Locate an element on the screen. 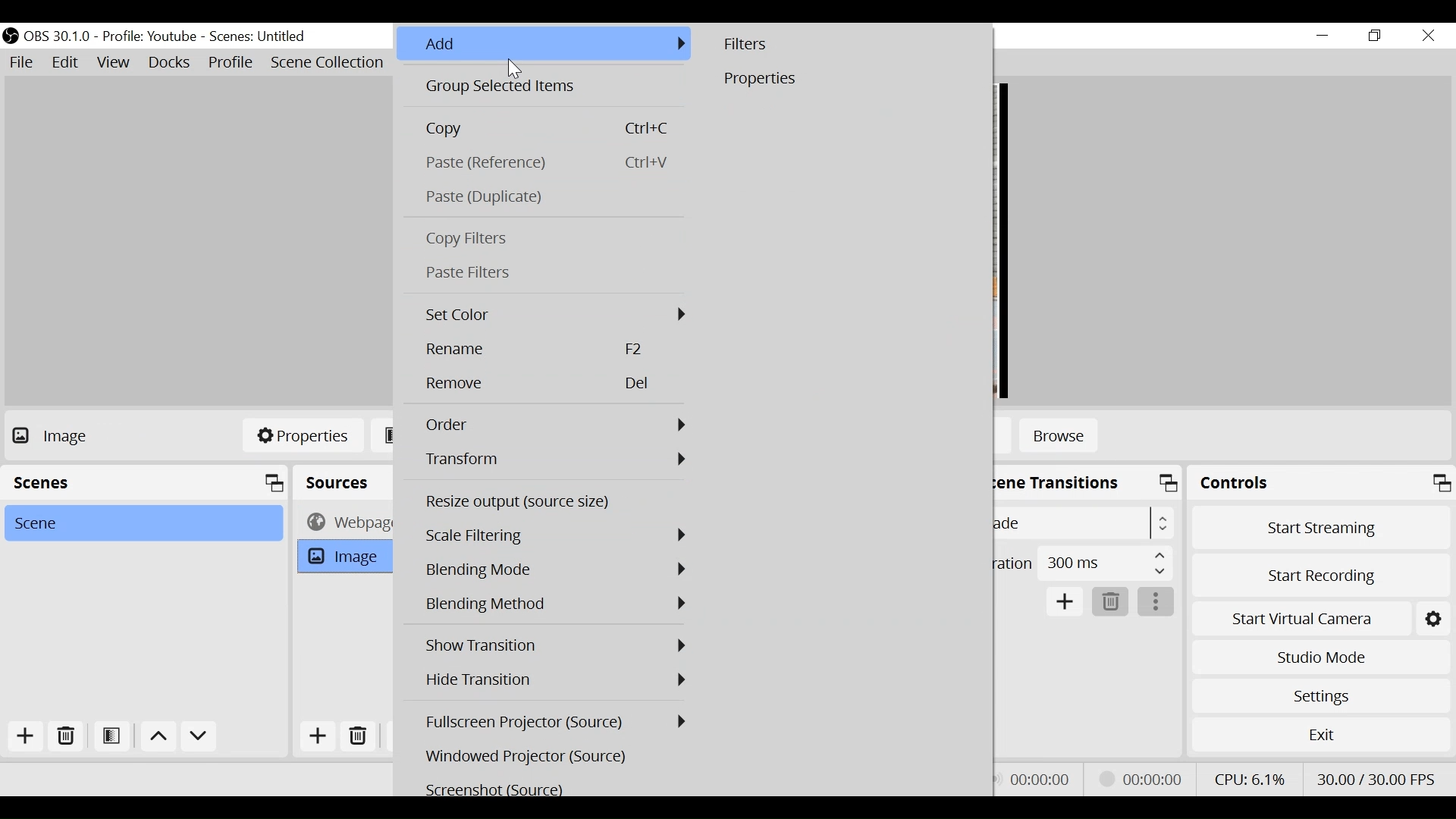 This screenshot has height=819, width=1456. Blending Mode is located at coordinates (554, 604).